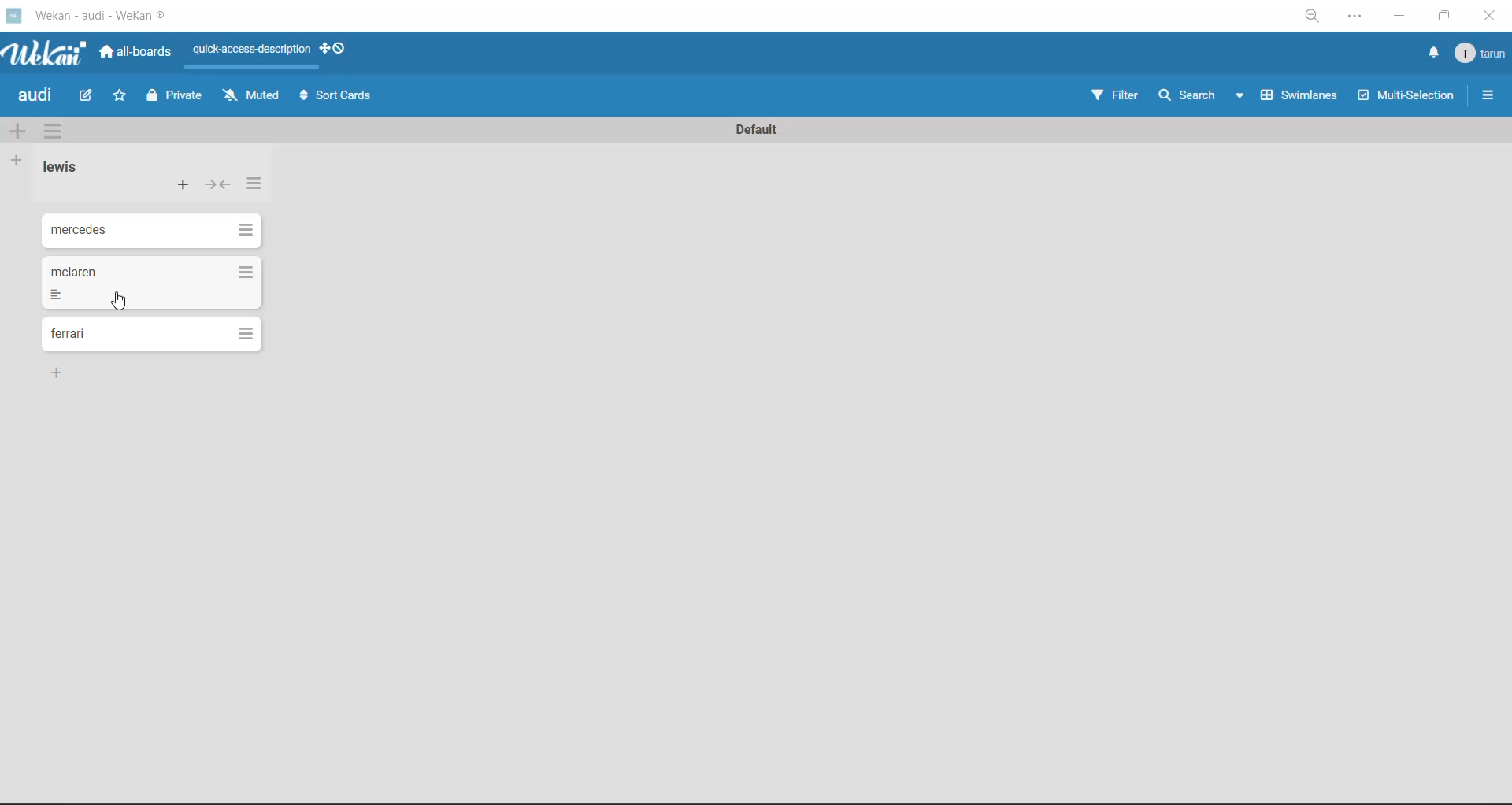  I want to click on private, so click(177, 98).